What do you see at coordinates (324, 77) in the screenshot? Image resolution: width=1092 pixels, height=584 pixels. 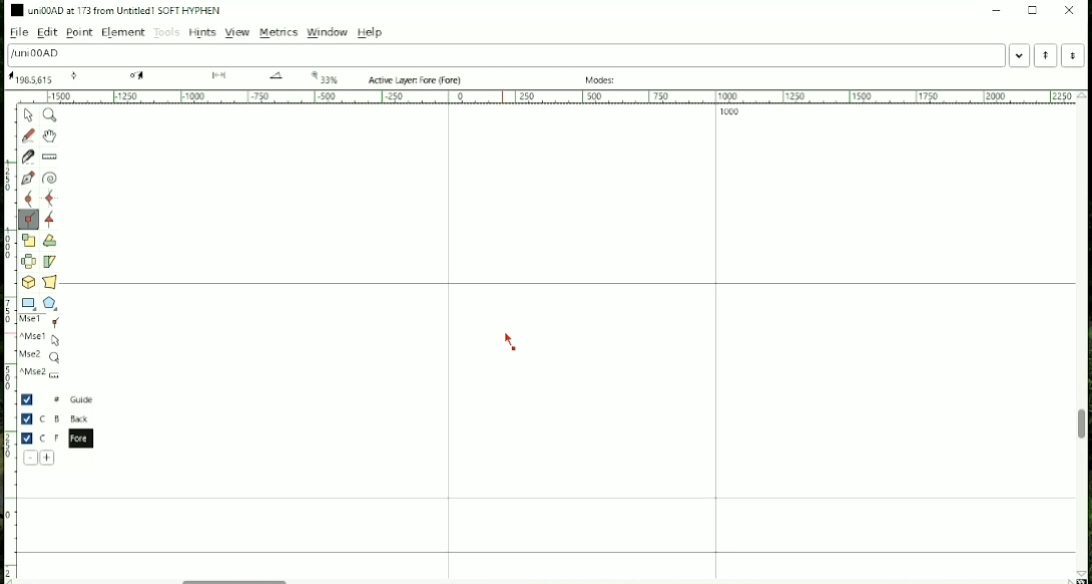 I see `173 Oxad U+00AD "uni00AD" SOFT HYPHEN` at bounding box center [324, 77].